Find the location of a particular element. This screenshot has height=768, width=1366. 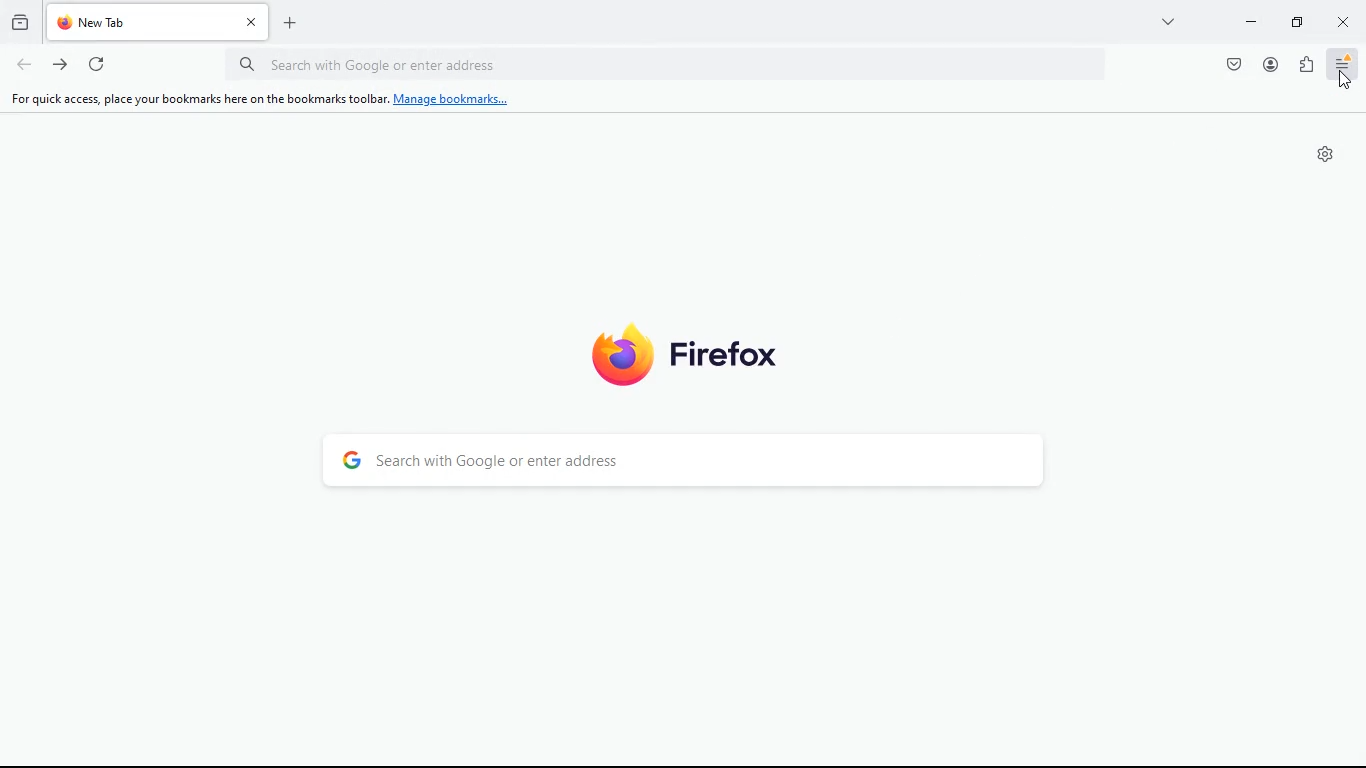

refresh is located at coordinates (98, 64).